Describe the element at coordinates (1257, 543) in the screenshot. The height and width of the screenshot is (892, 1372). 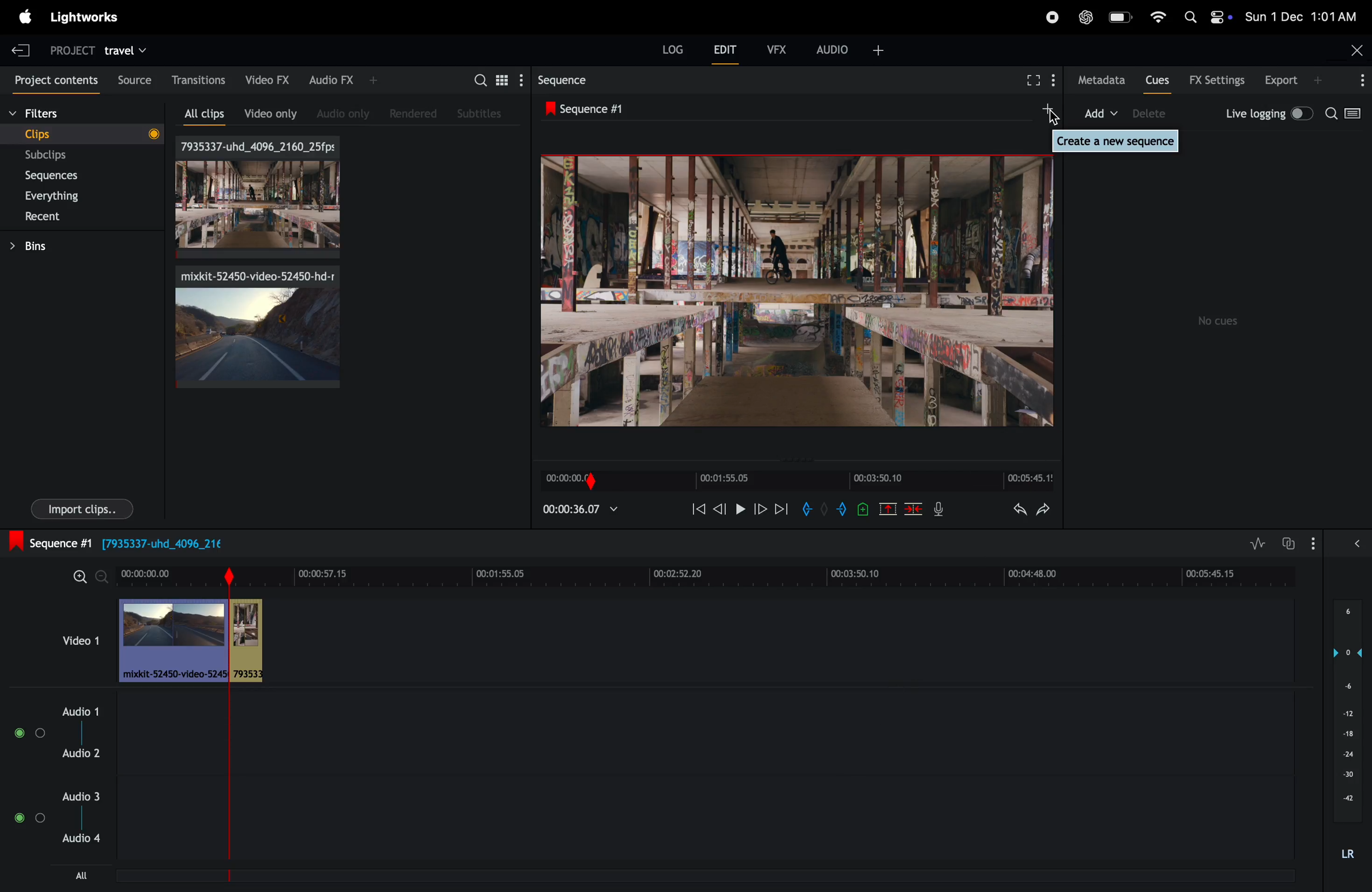
I see `toggle audio levels` at that location.